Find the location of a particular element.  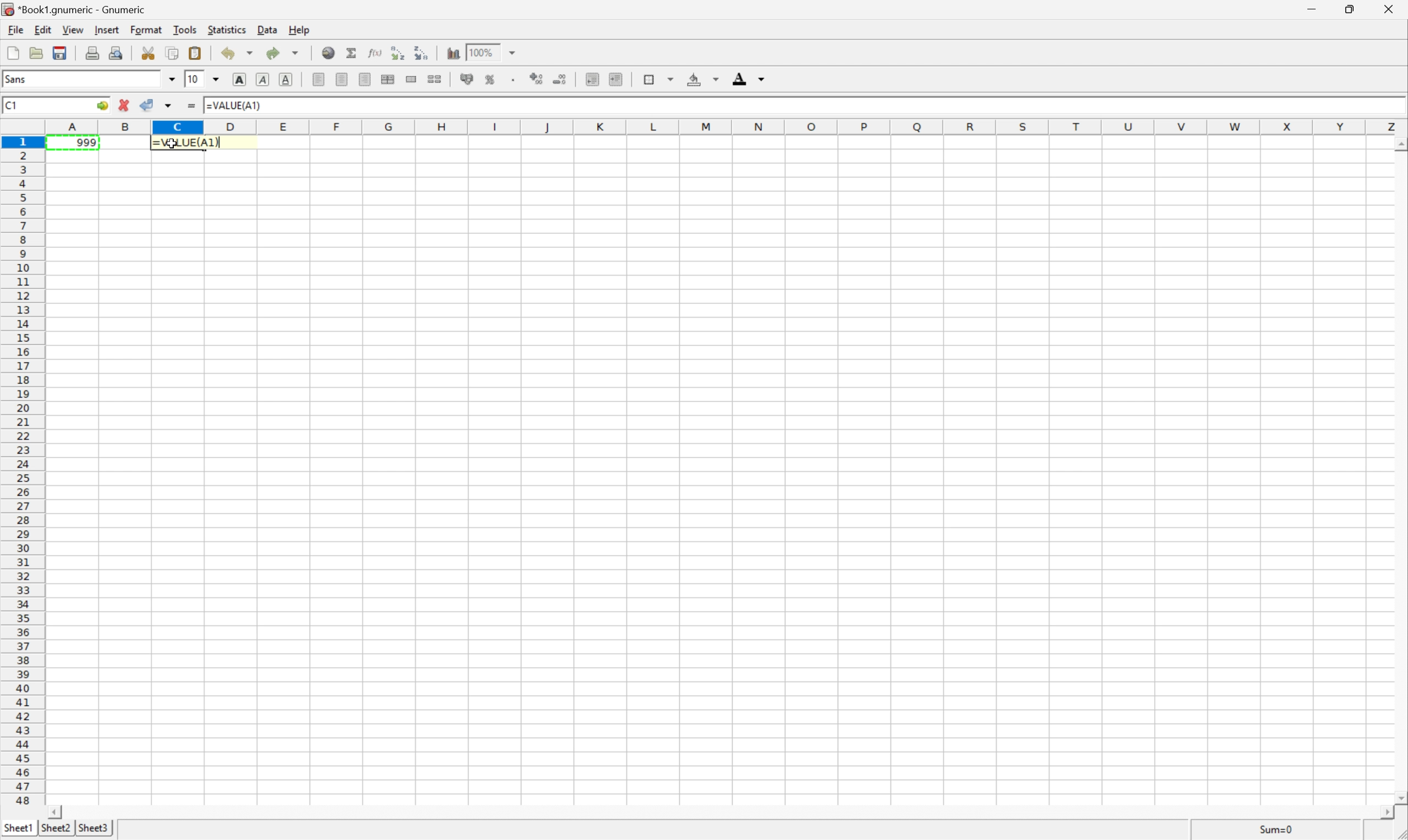

print preview is located at coordinates (118, 53).